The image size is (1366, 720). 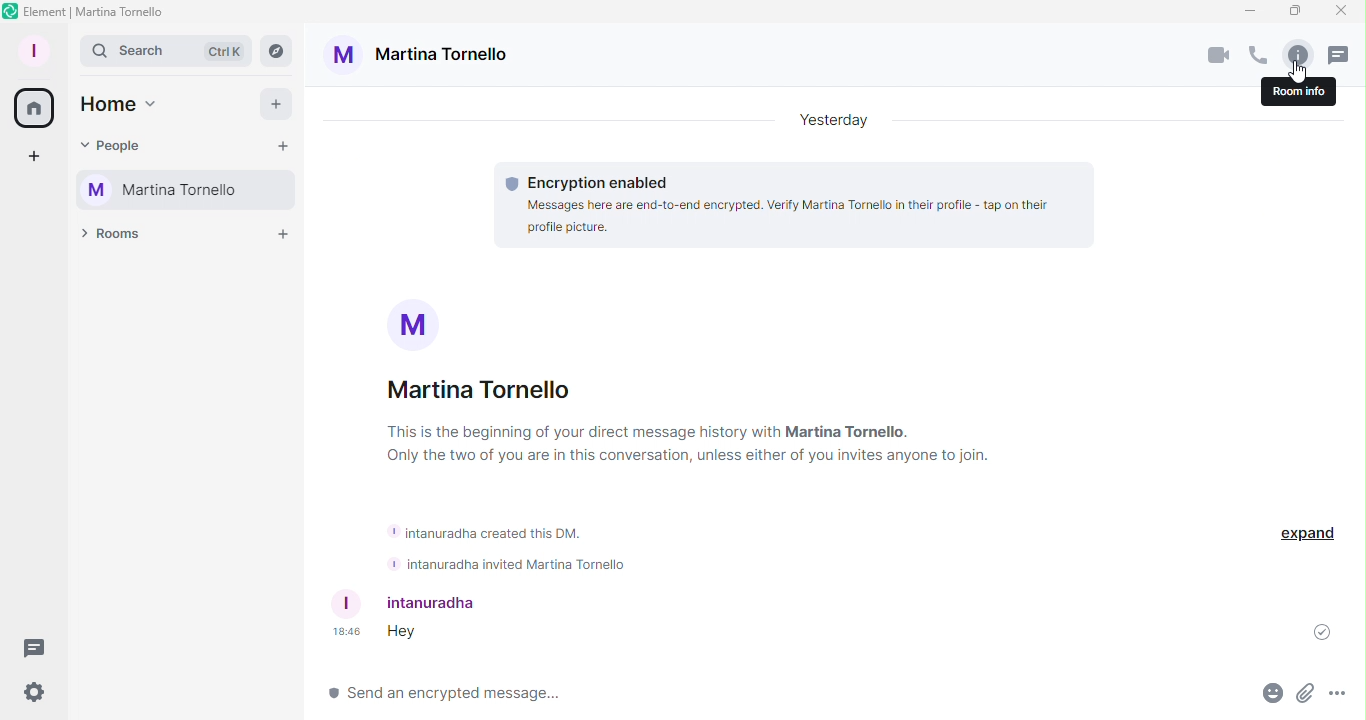 I want to click on Add, so click(x=279, y=109).